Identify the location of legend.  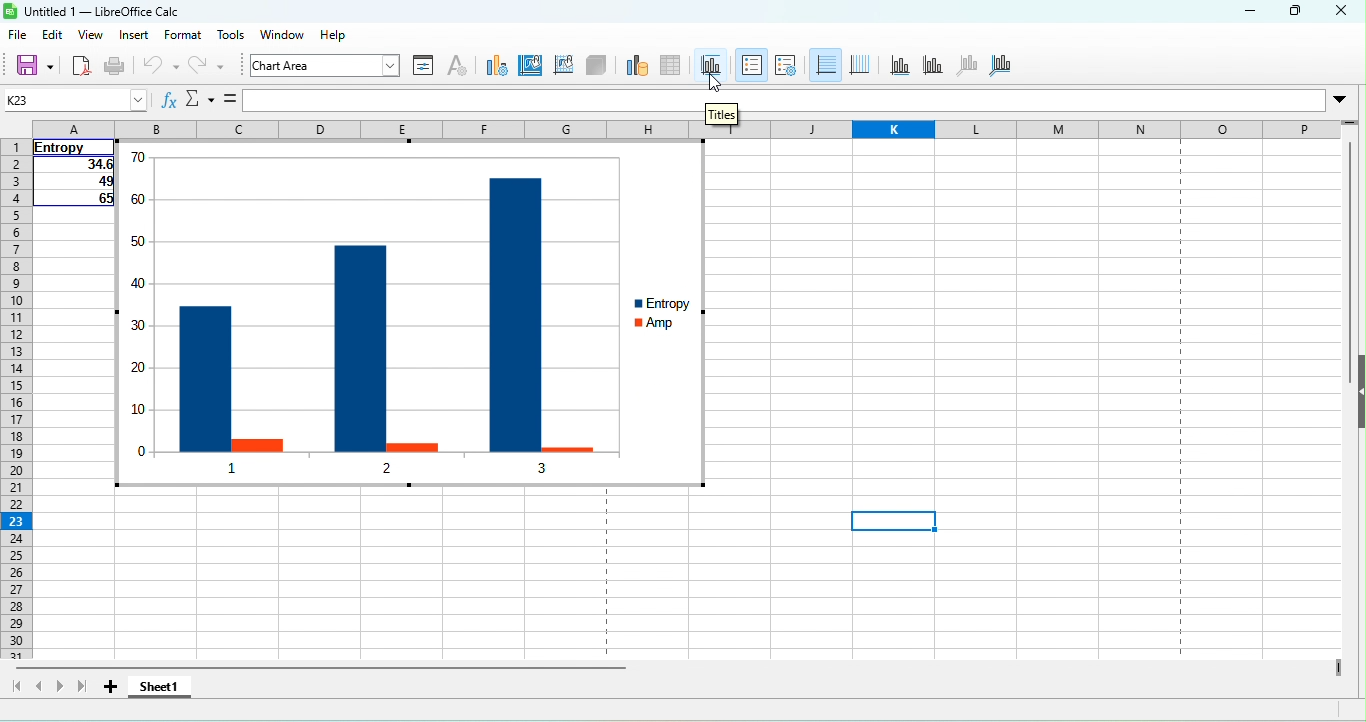
(787, 66).